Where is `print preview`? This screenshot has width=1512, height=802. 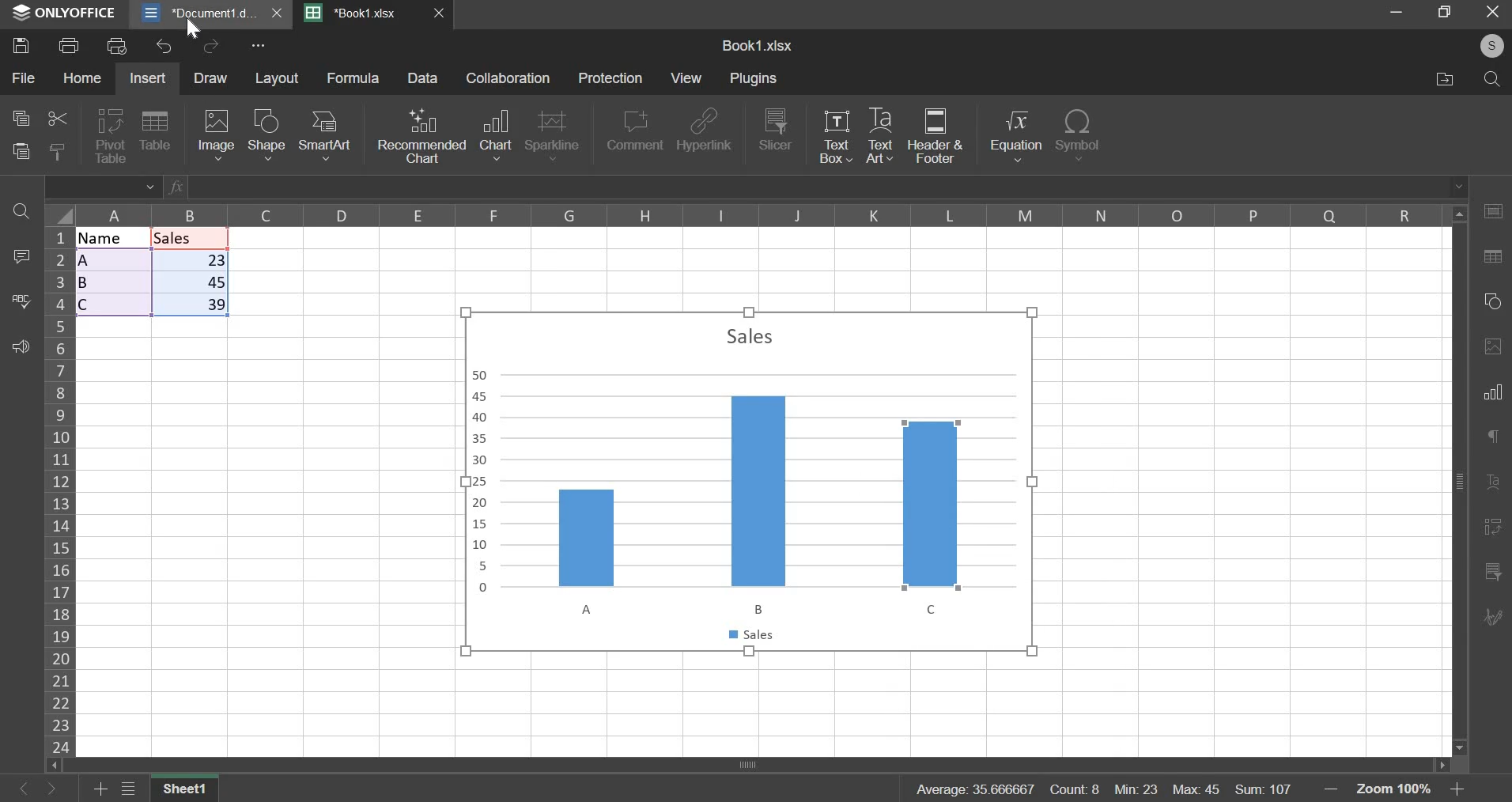
print preview is located at coordinates (117, 47).